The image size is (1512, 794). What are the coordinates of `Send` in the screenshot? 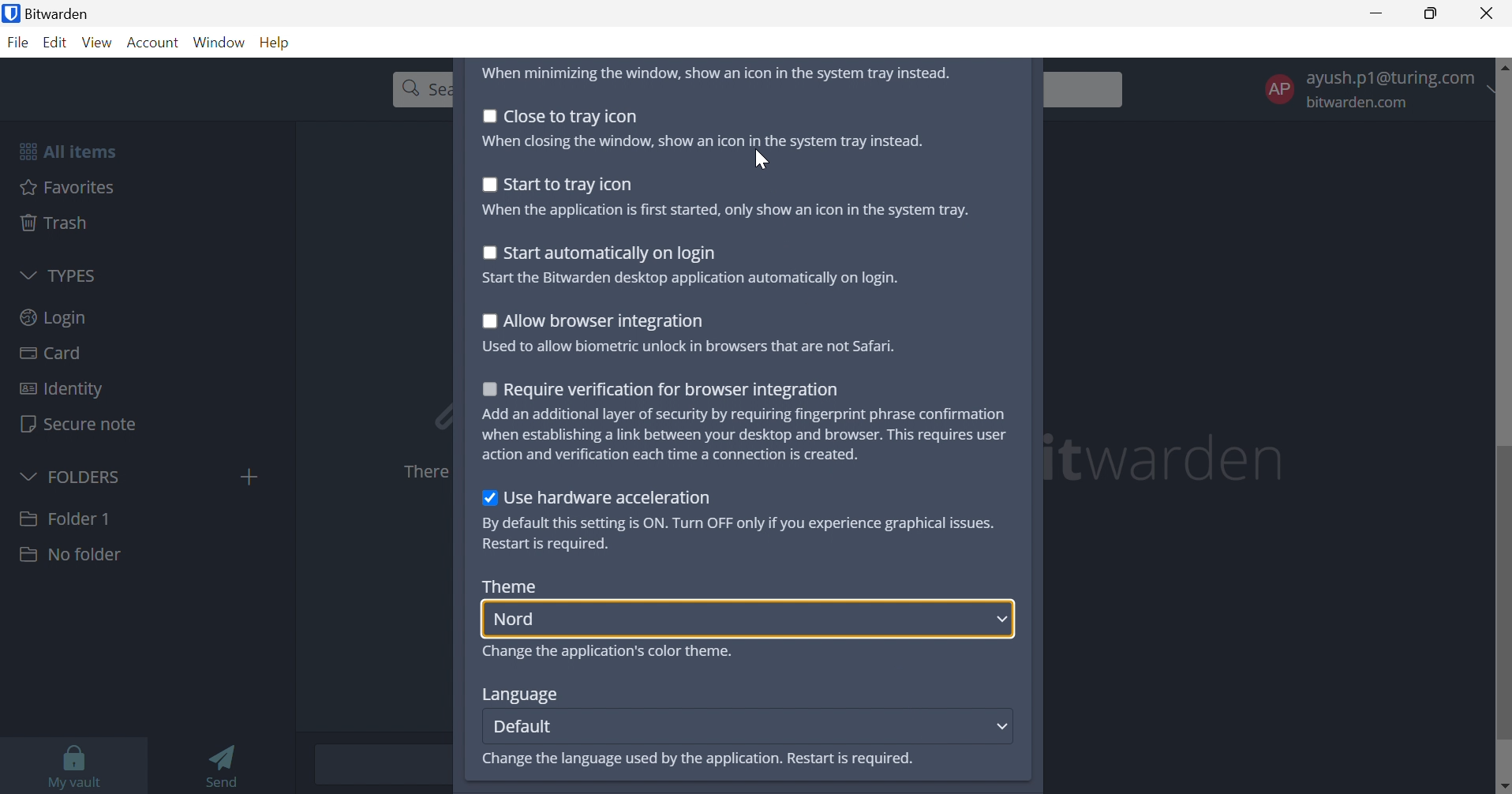 It's located at (227, 764).